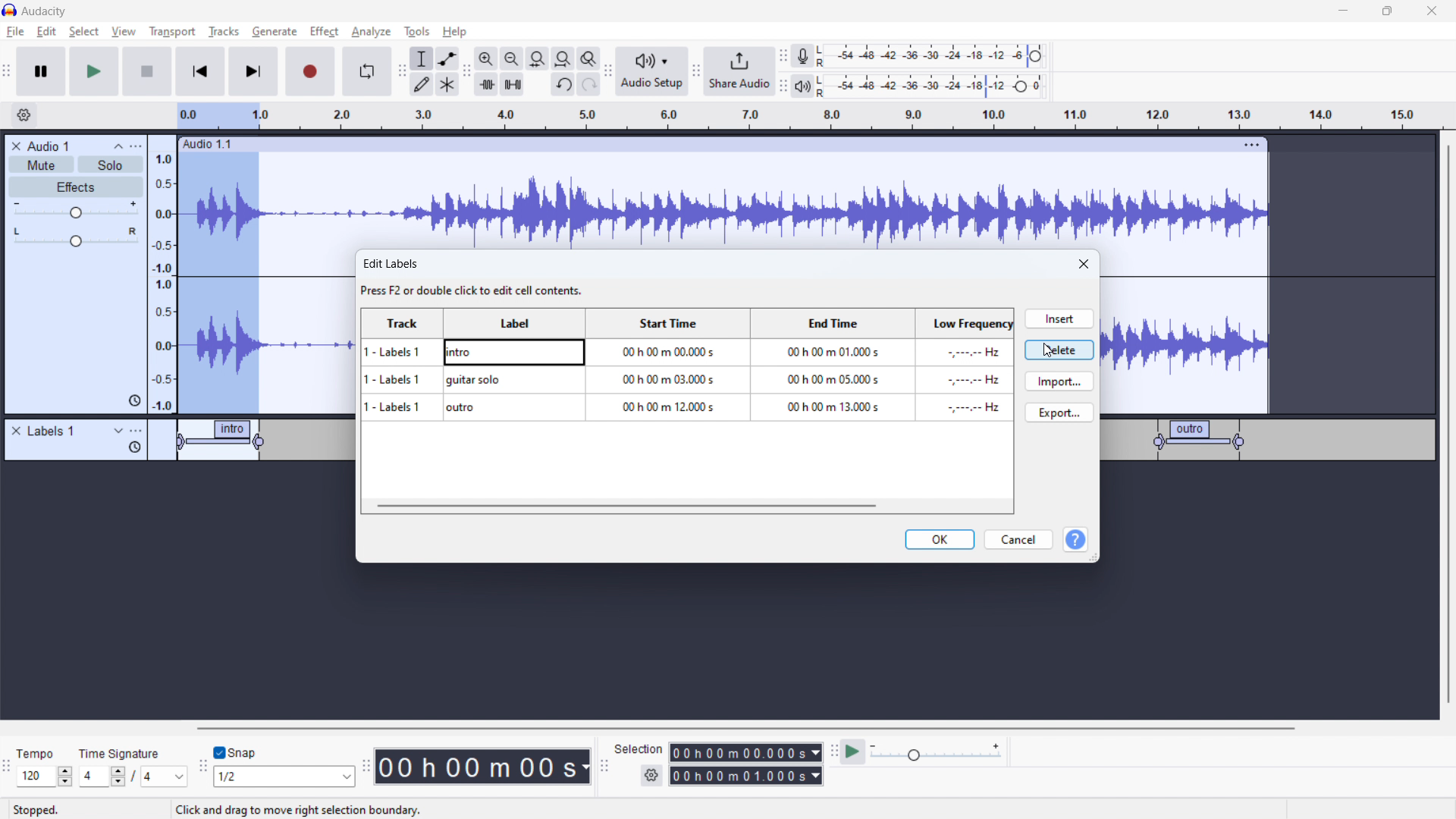 The height and width of the screenshot is (819, 1456). Describe the element at coordinates (415, 31) in the screenshot. I see `tools` at that location.